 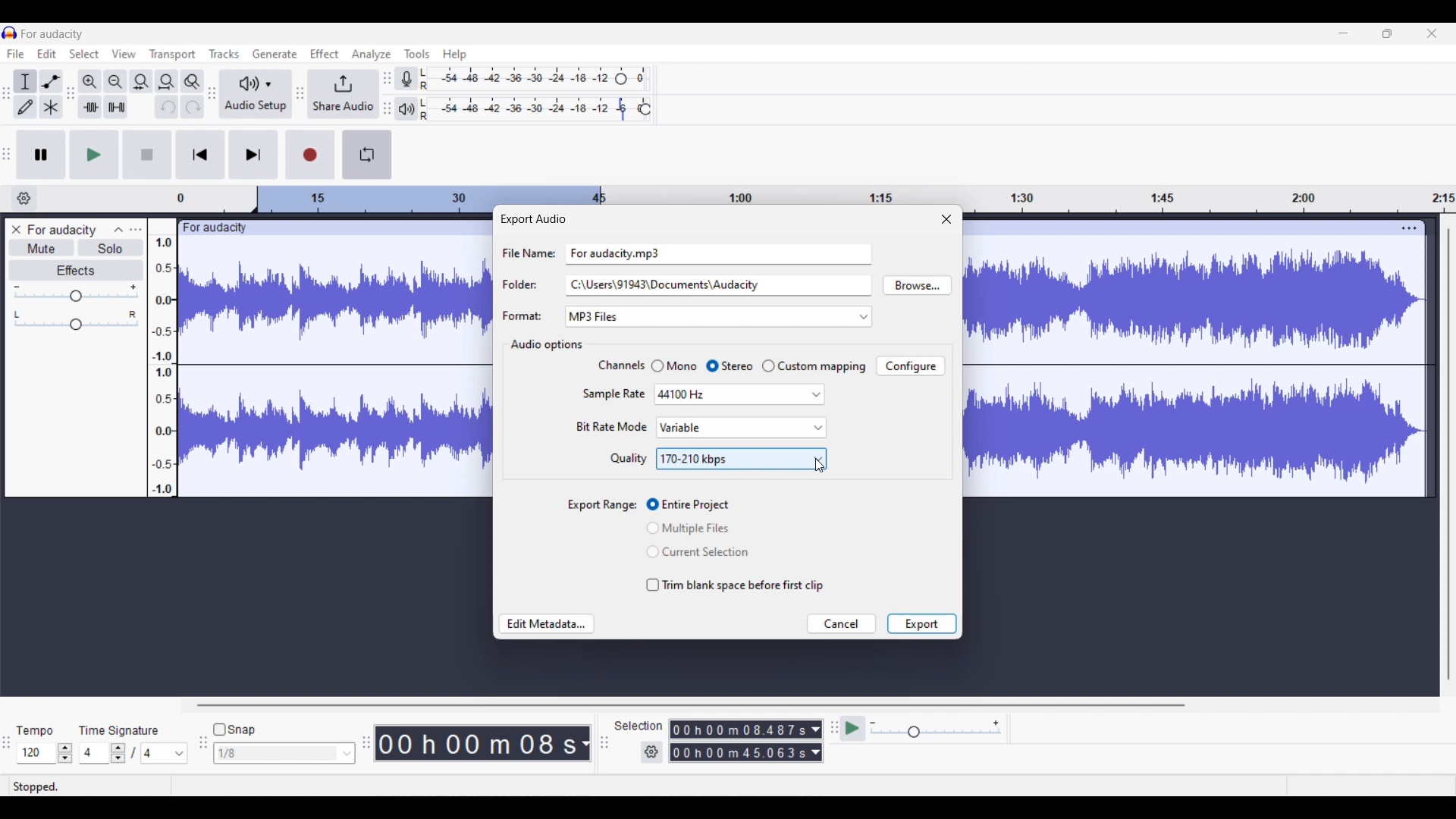 I want to click on Software logo, so click(x=10, y=33).